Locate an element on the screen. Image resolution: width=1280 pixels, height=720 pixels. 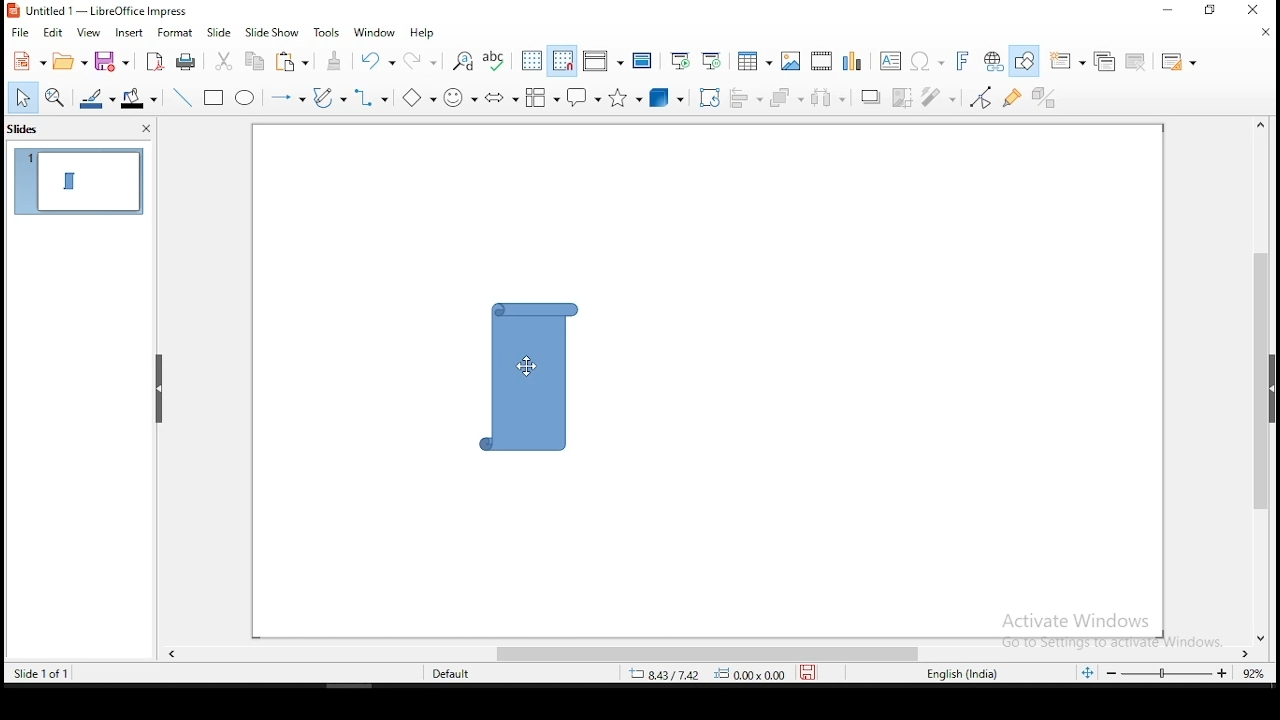
filter is located at coordinates (940, 99).